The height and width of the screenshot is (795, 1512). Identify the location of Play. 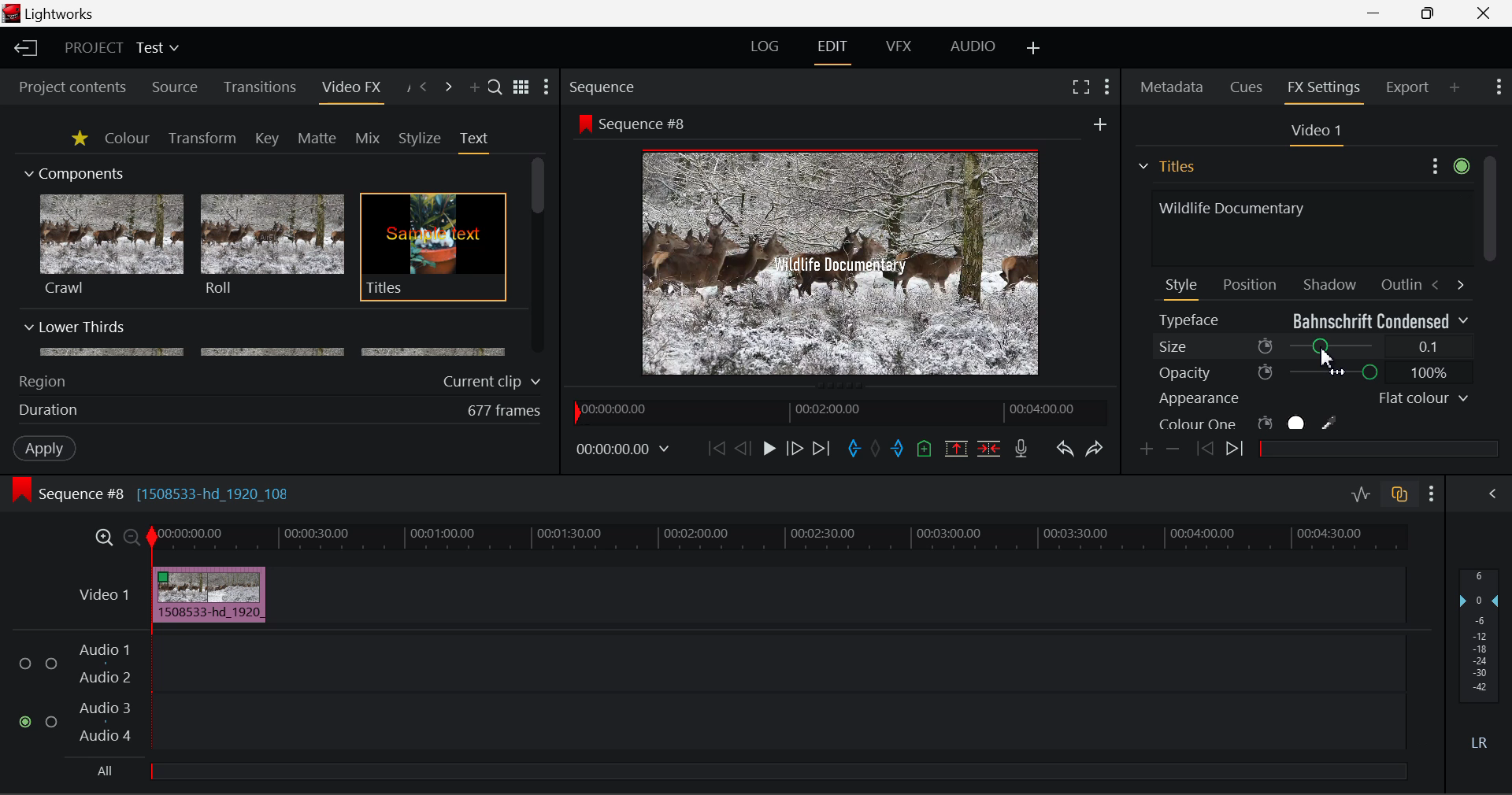
(769, 448).